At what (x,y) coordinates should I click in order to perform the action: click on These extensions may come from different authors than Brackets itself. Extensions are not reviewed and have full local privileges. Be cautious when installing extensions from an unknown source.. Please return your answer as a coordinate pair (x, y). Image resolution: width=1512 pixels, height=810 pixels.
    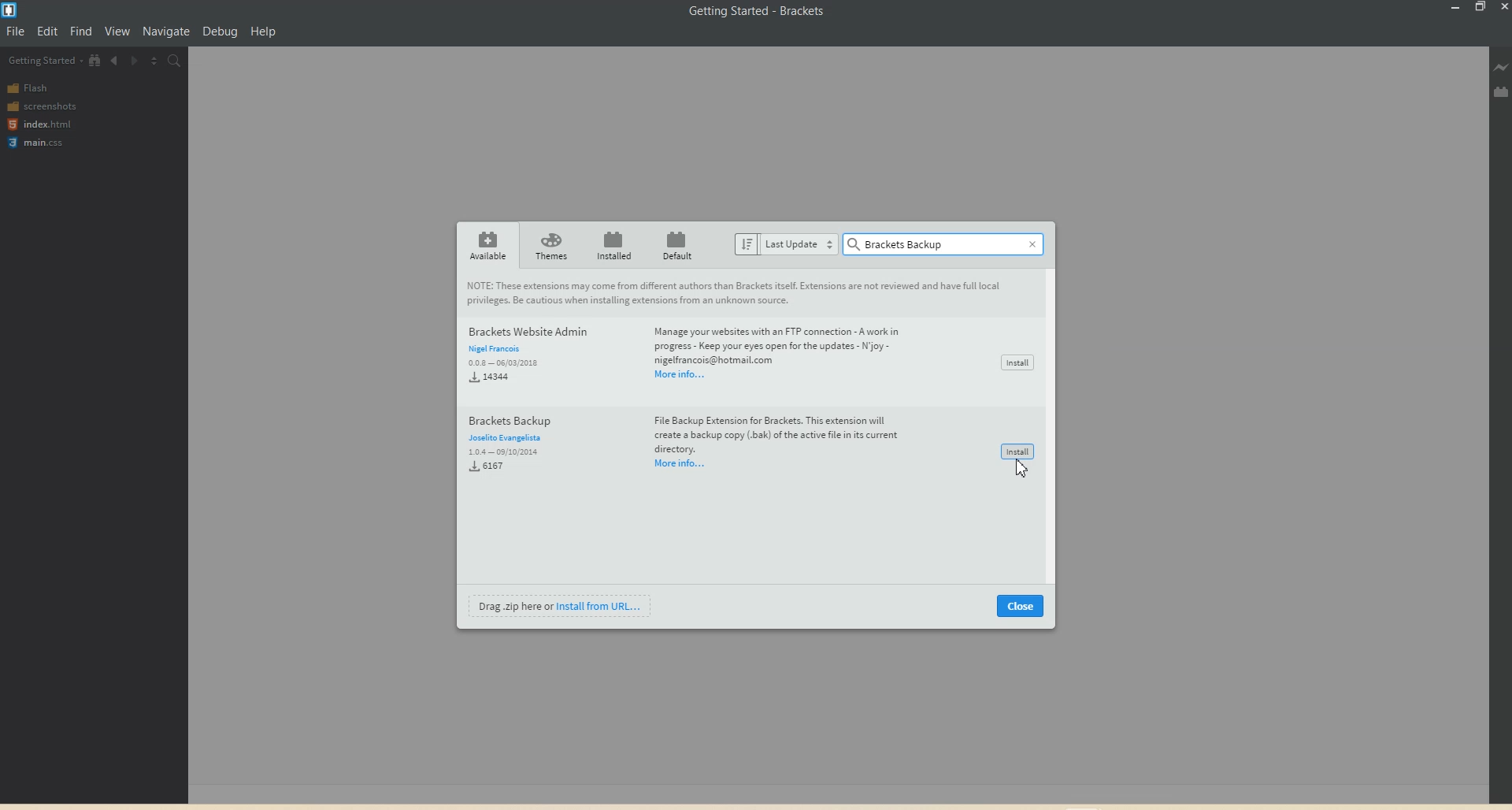
    Looking at the image, I should click on (740, 294).